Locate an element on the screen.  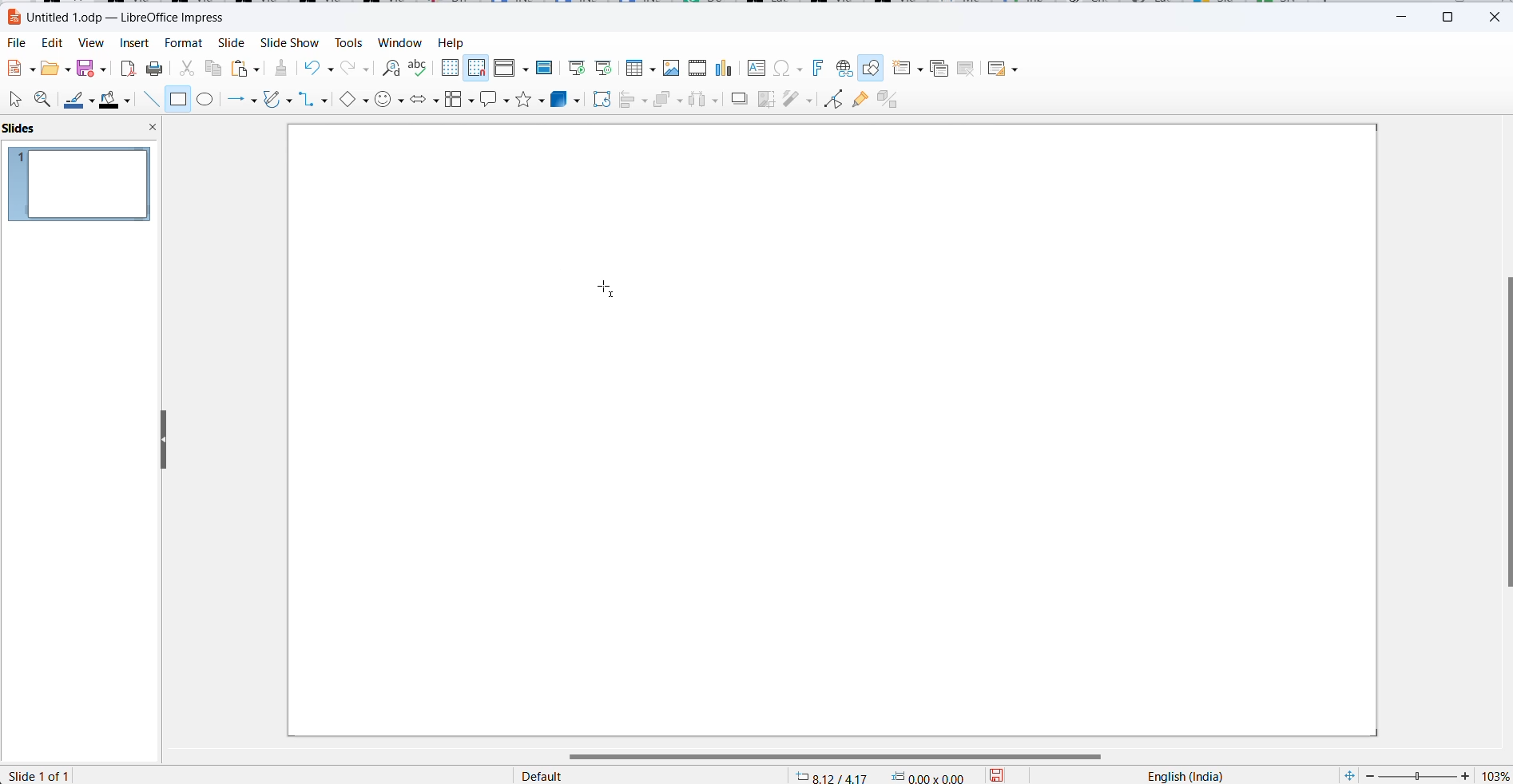
Edit is located at coordinates (54, 42).